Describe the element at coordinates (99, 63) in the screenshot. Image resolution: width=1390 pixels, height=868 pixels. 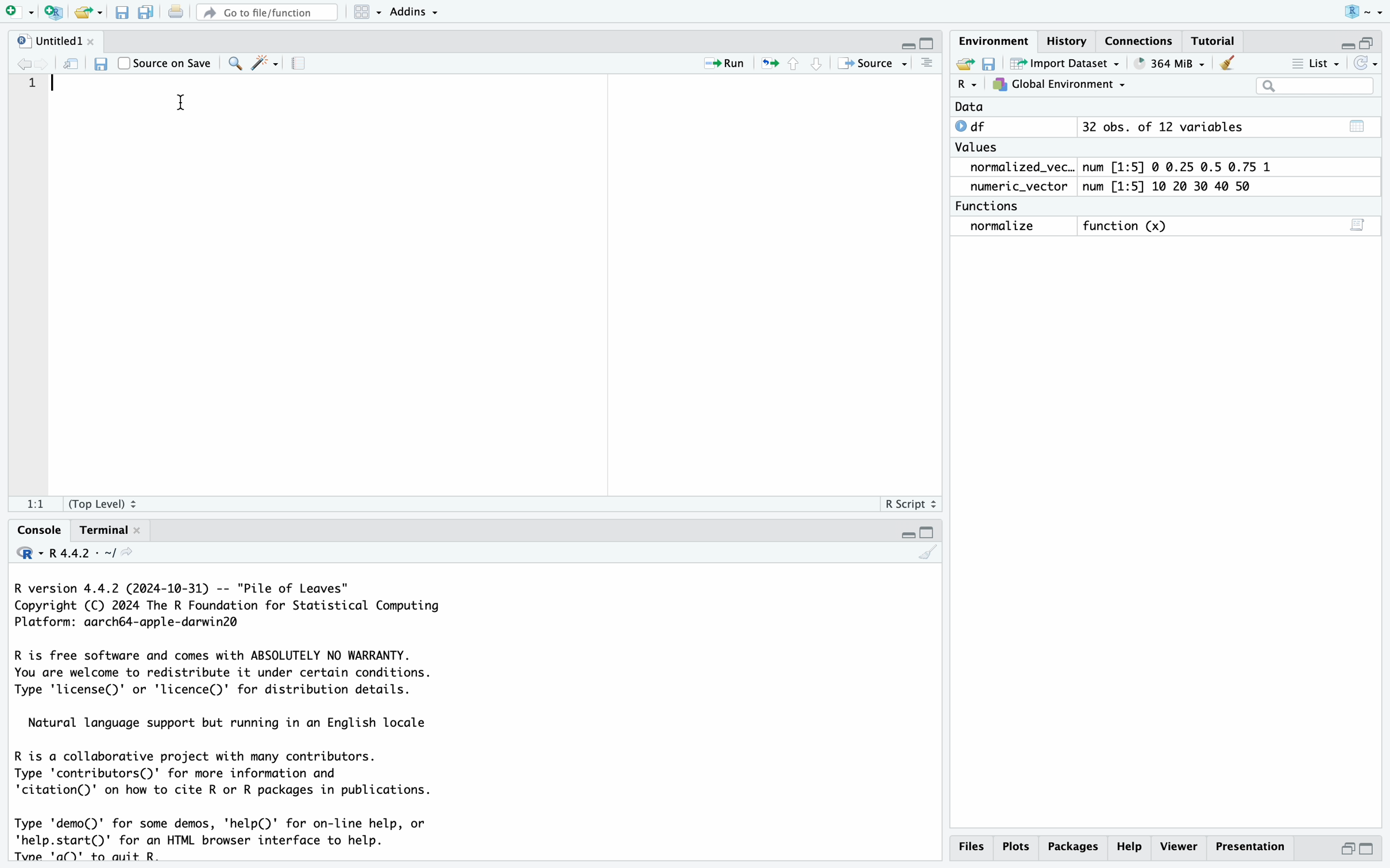
I see `Save` at that location.